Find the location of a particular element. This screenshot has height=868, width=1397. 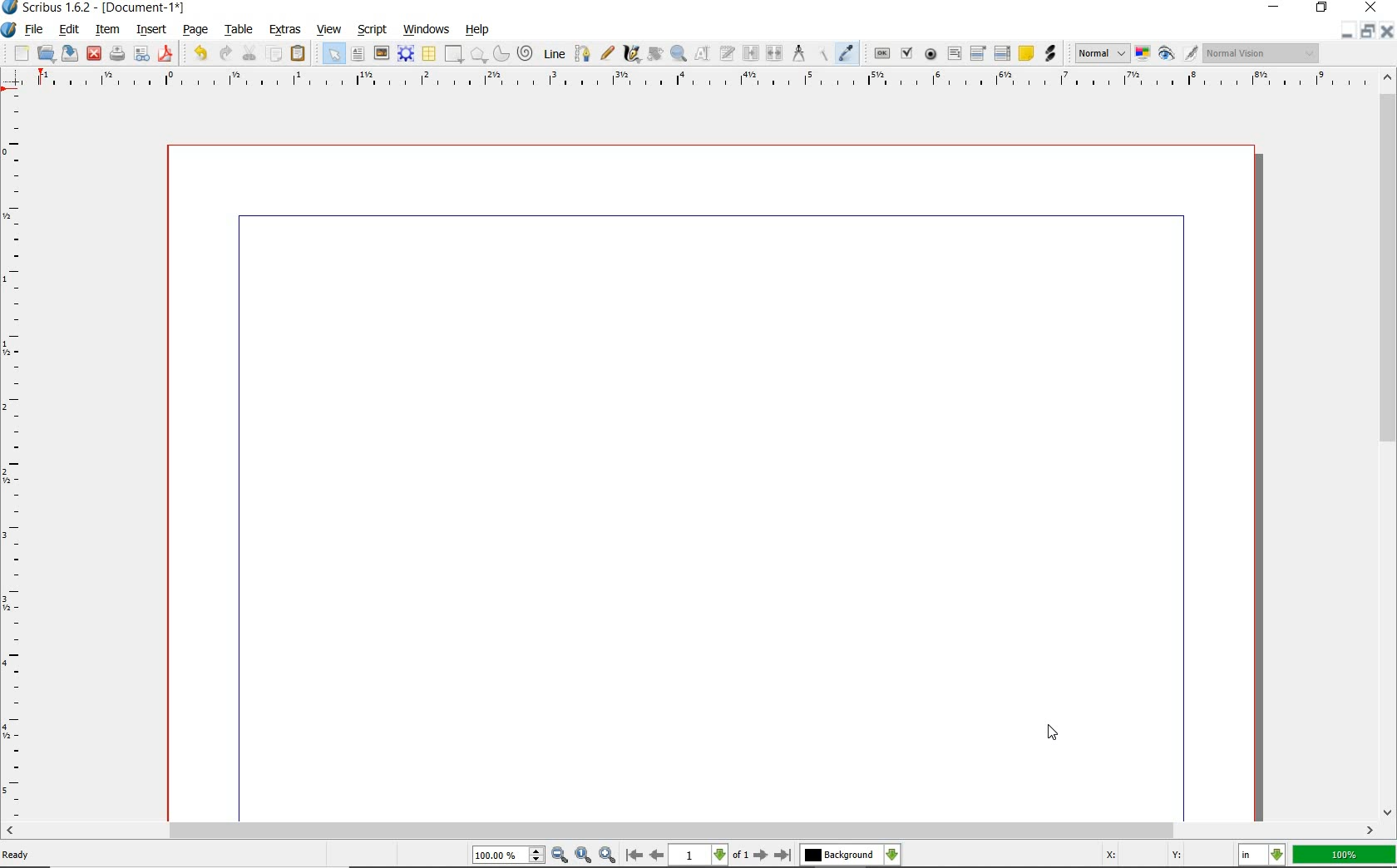

cursor is located at coordinates (1053, 736).